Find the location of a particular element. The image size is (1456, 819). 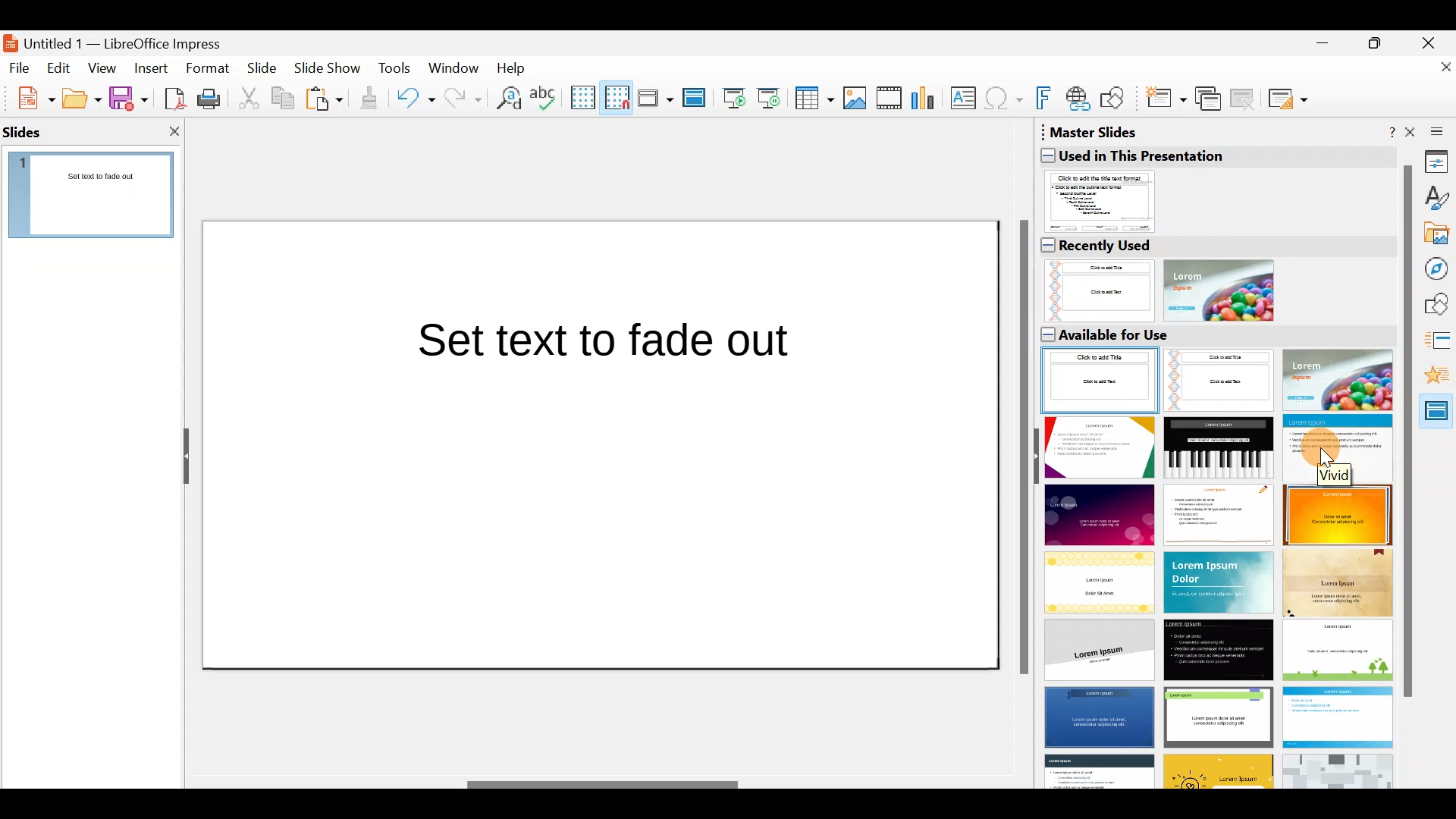

Delete slide is located at coordinates (1245, 98).